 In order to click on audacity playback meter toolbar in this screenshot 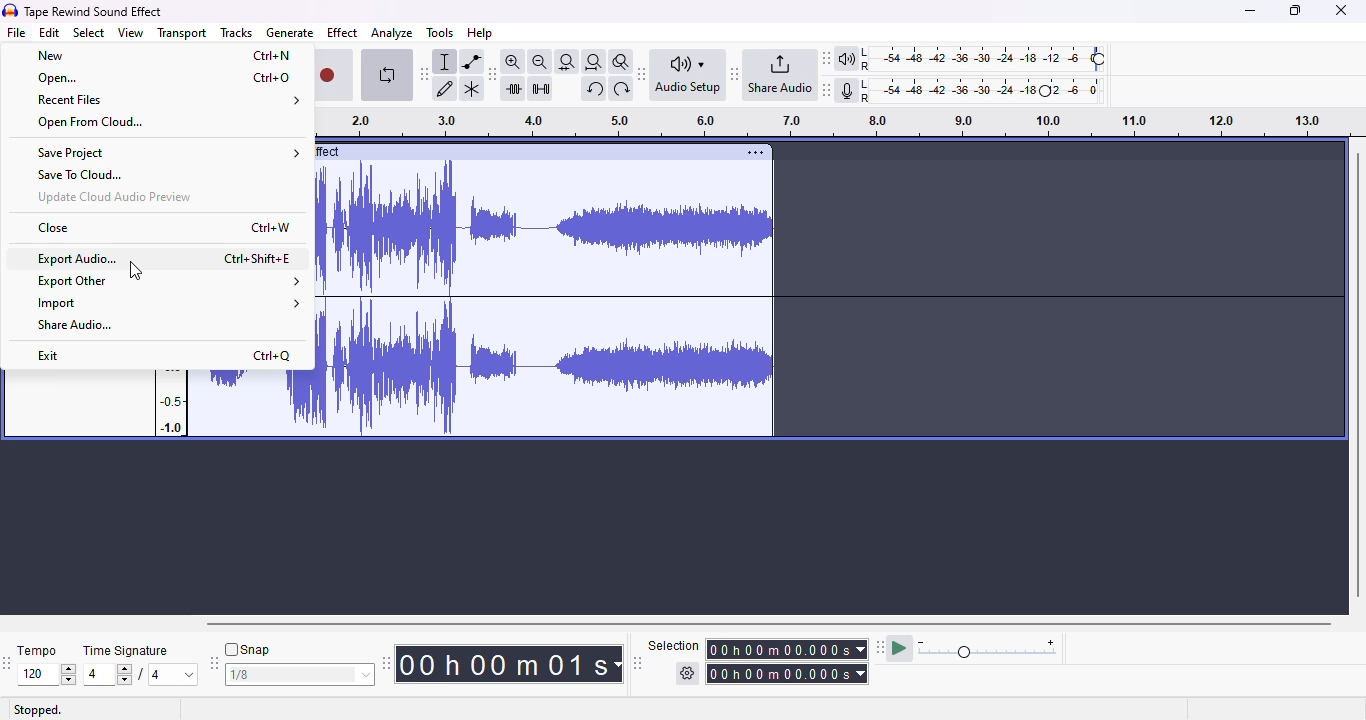, I will do `click(965, 57)`.